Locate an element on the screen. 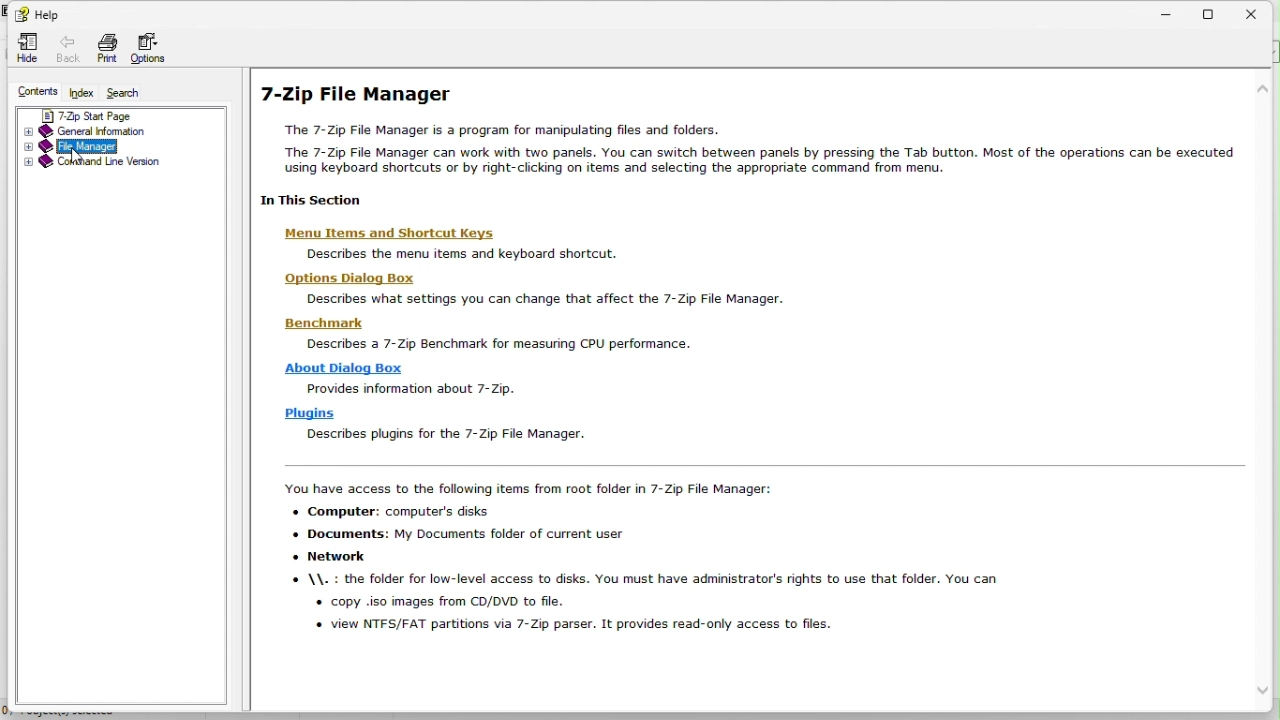 Image resolution: width=1280 pixels, height=720 pixels. General information is located at coordinates (111, 129).